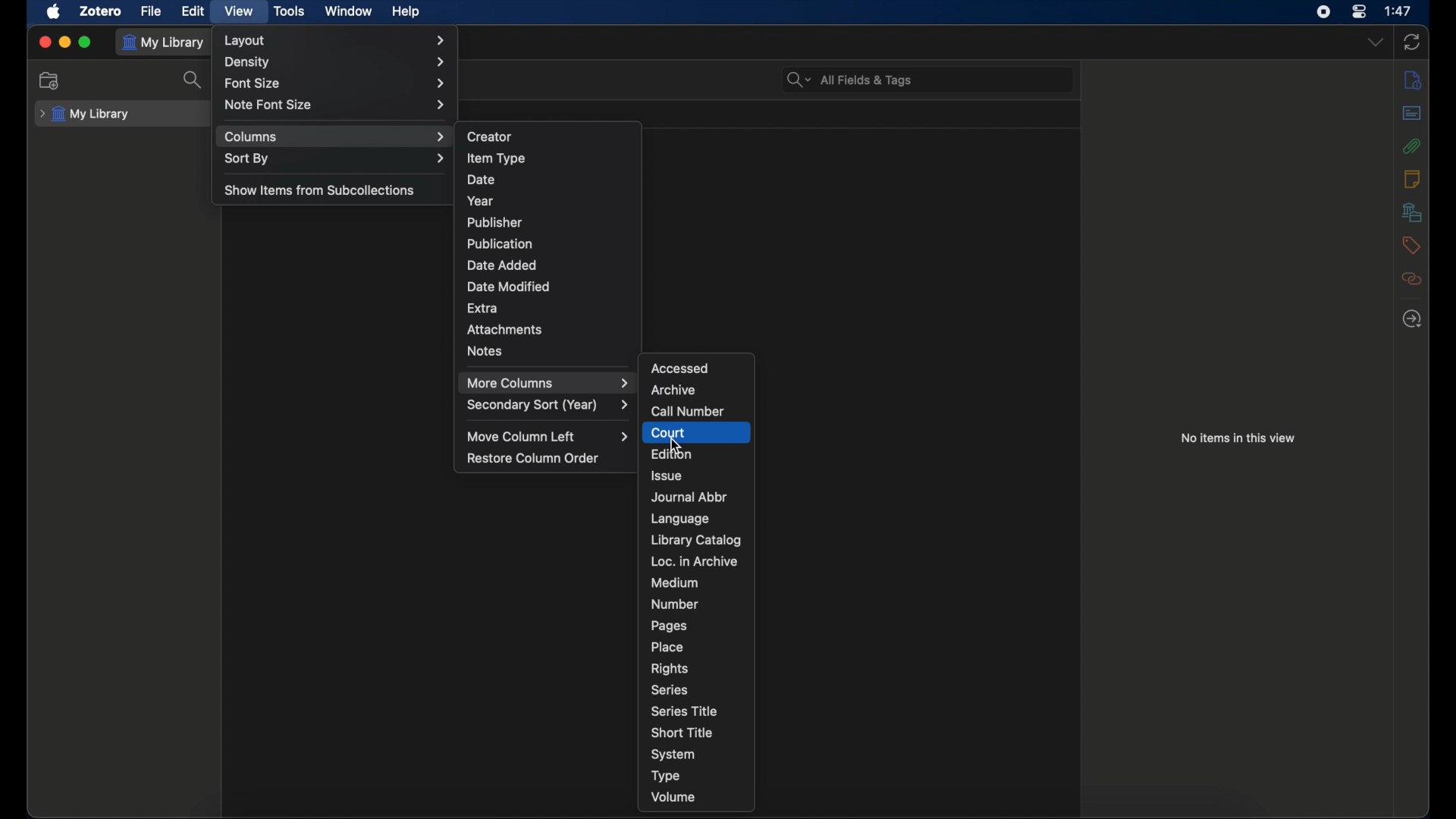 This screenshot has width=1456, height=819. What do you see at coordinates (336, 105) in the screenshot?
I see `note font size` at bounding box center [336, 105].